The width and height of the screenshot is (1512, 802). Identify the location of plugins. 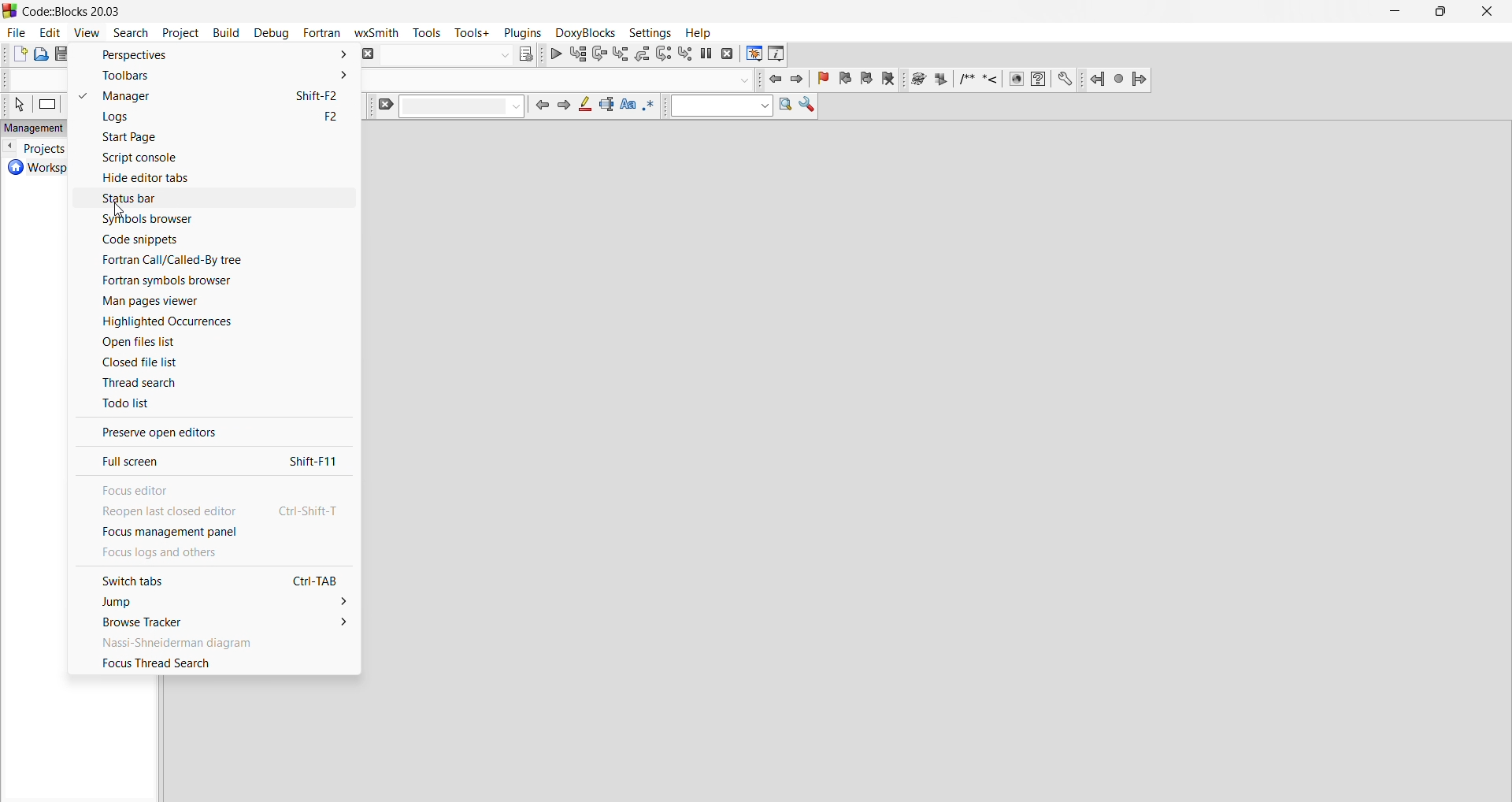
(524, 32).